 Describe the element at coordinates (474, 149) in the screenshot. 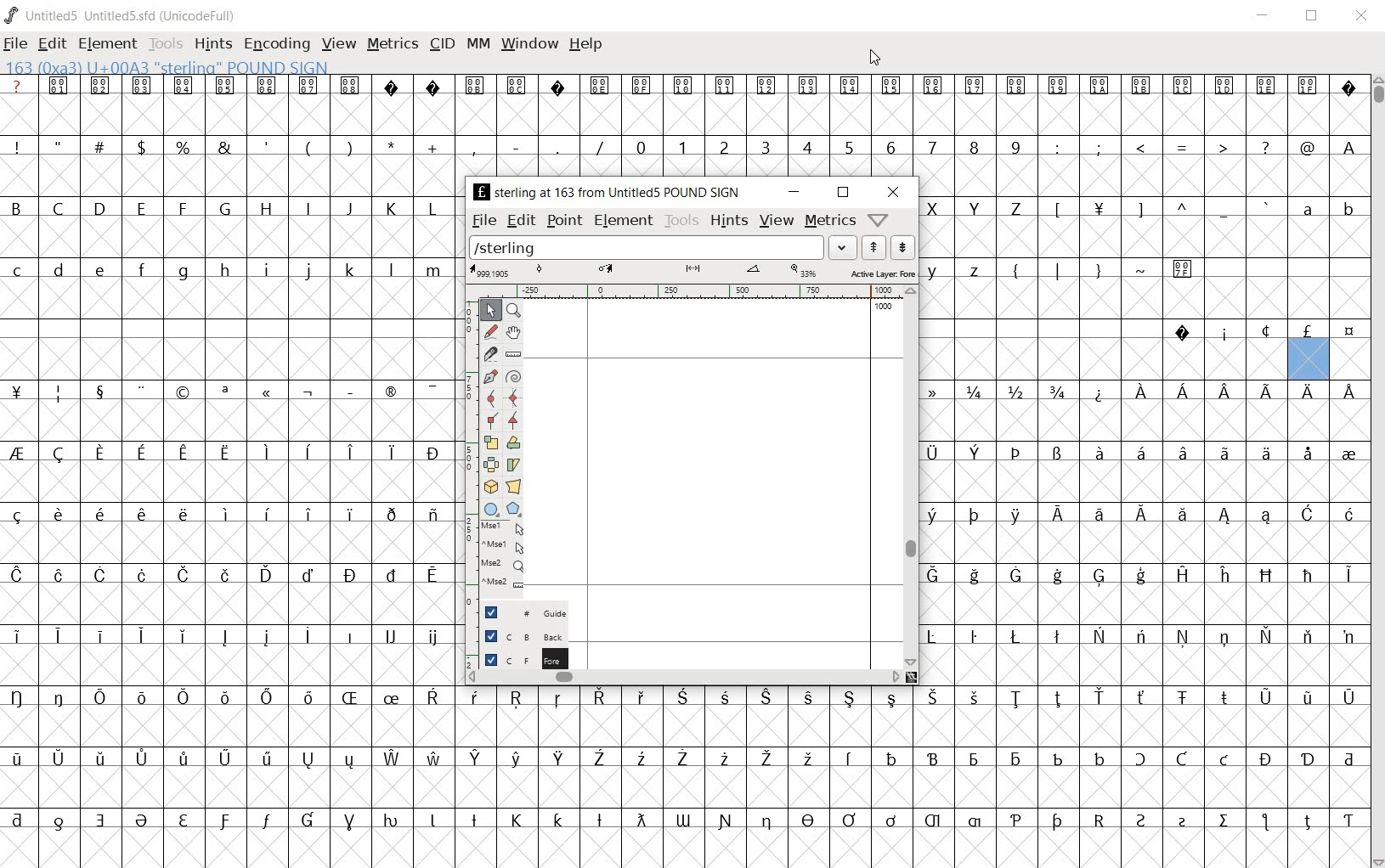

I see `,` at that location.